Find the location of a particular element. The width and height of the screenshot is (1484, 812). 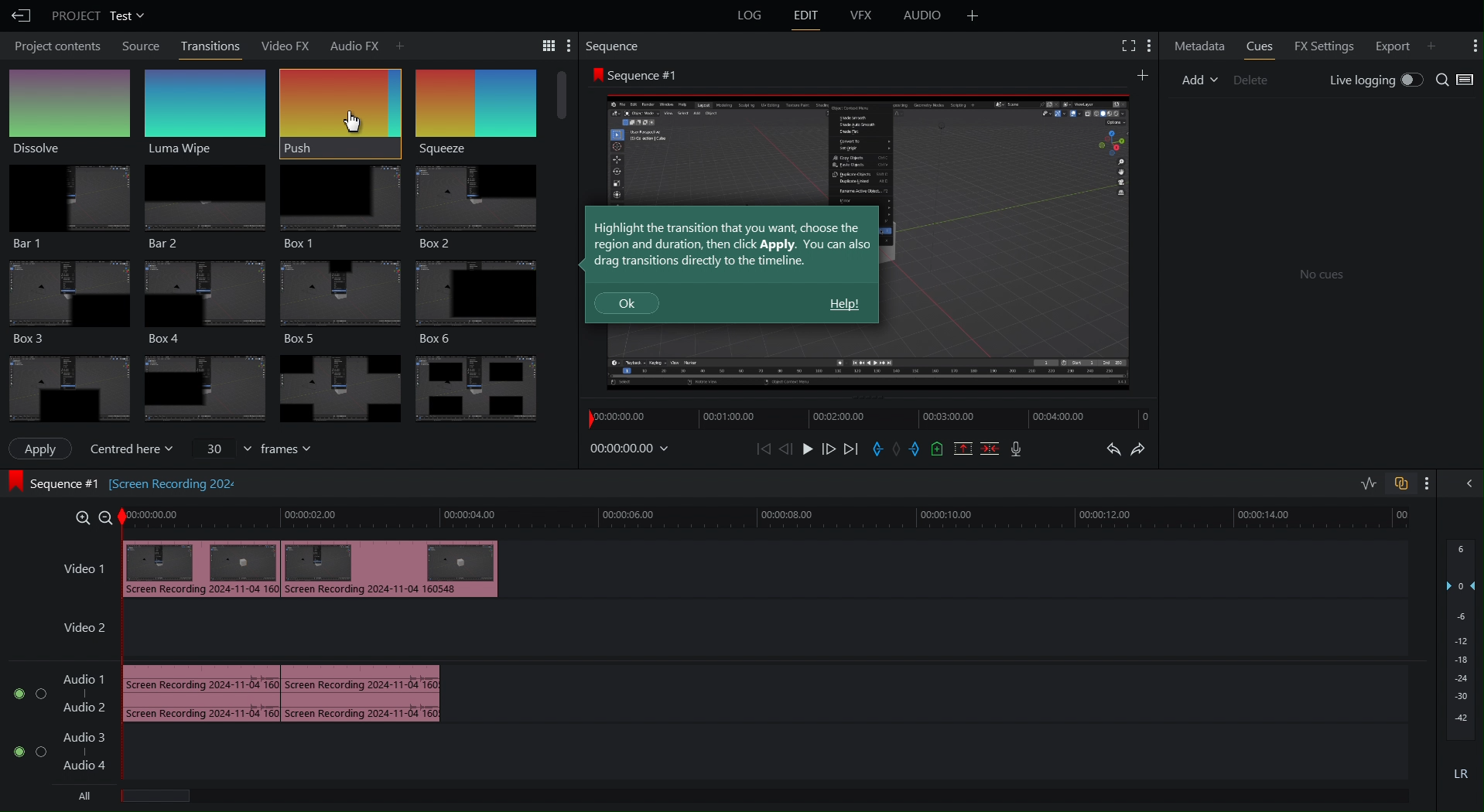

Audio track is located at coordinates (282, 691).